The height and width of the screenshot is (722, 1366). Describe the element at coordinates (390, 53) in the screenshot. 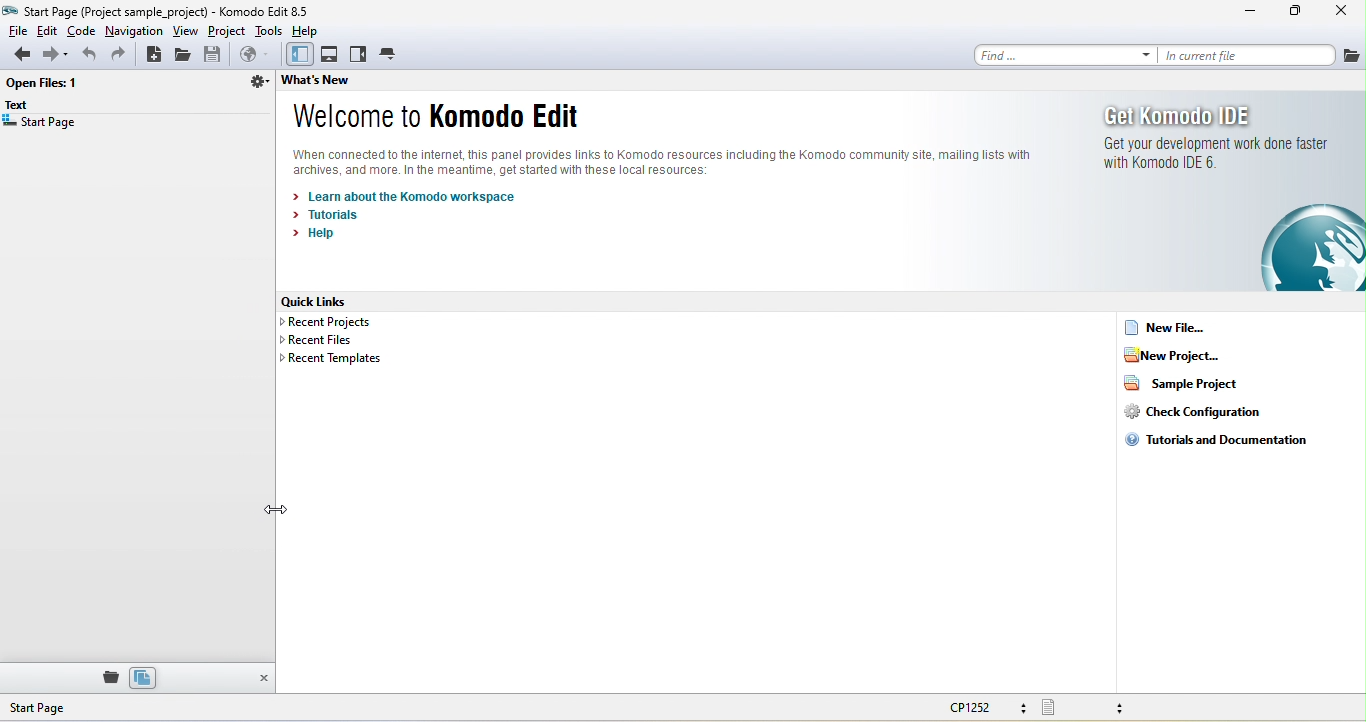

I see `tab` at that location.